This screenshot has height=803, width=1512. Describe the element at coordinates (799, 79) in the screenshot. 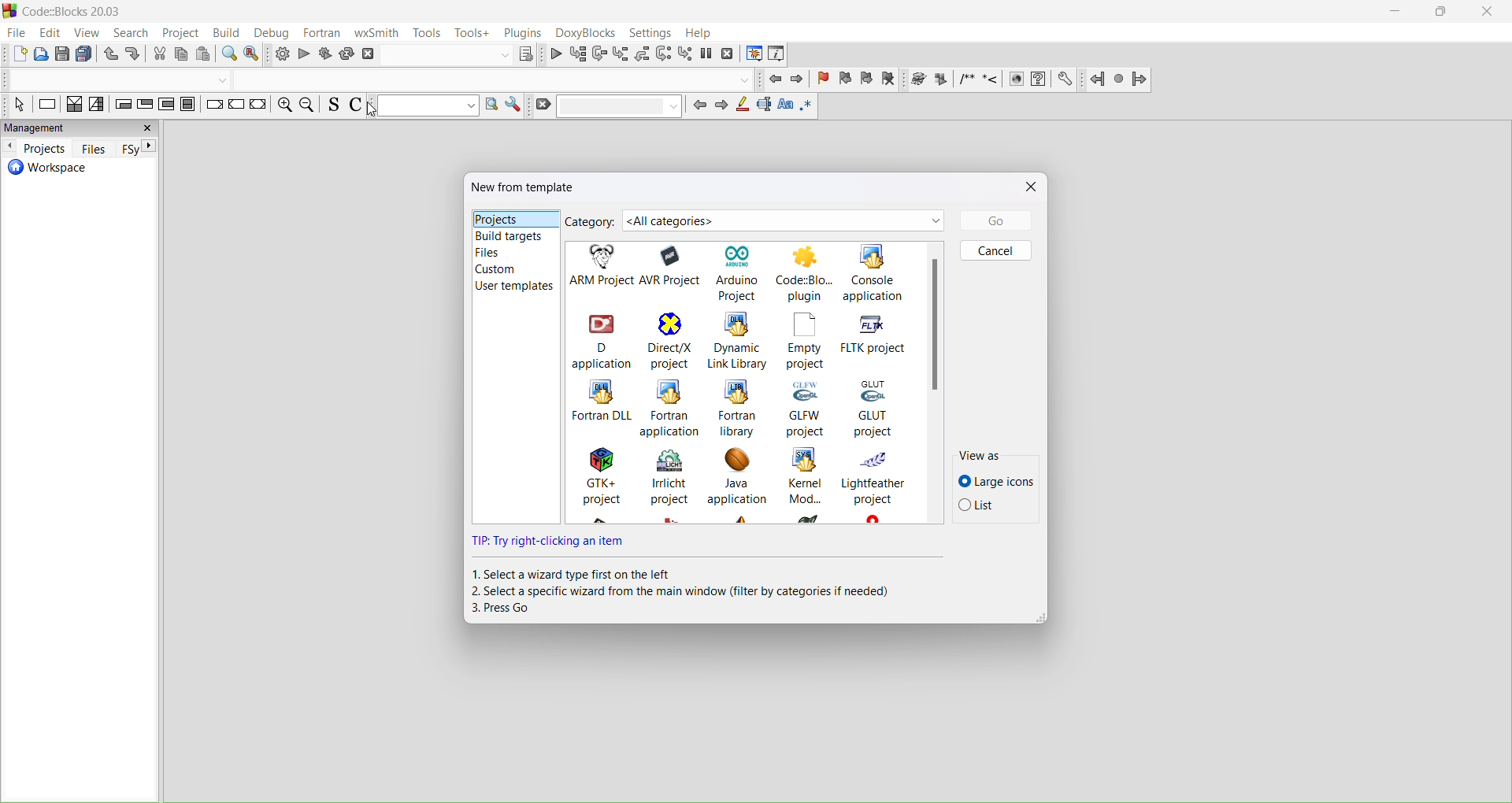

I see `jump forward` at that location.